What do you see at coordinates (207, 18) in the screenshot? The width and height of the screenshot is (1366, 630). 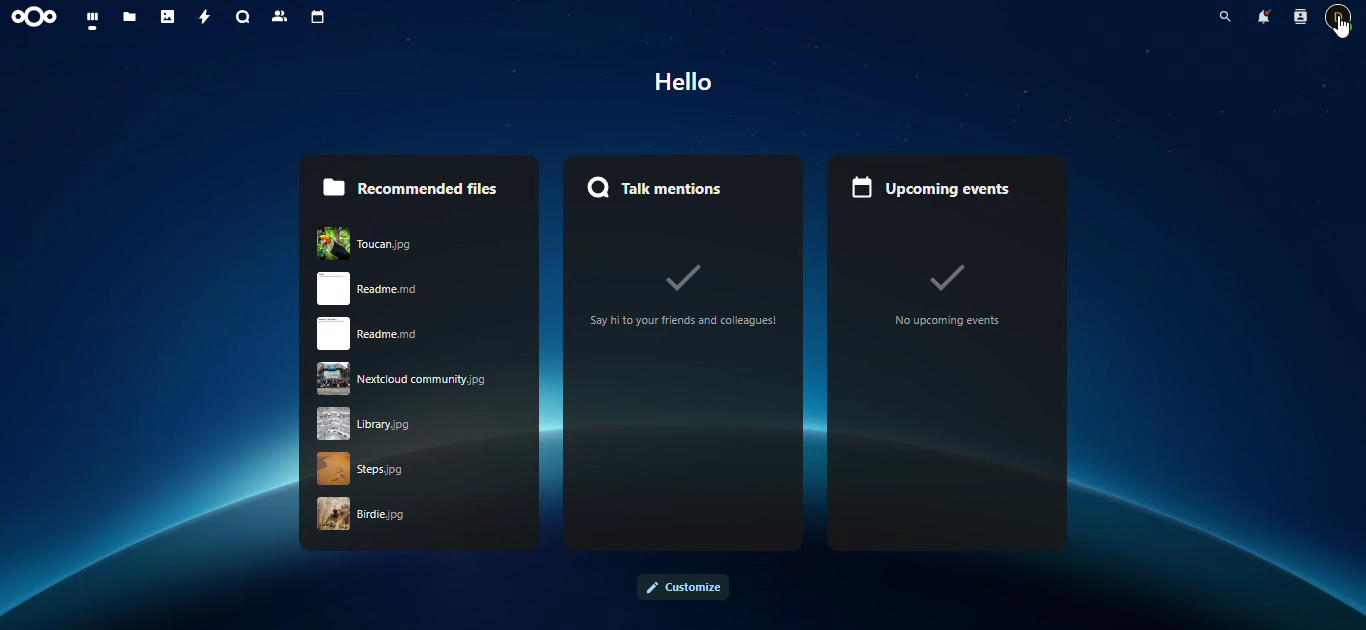 I see `activity` at bounding box center [207, 18].